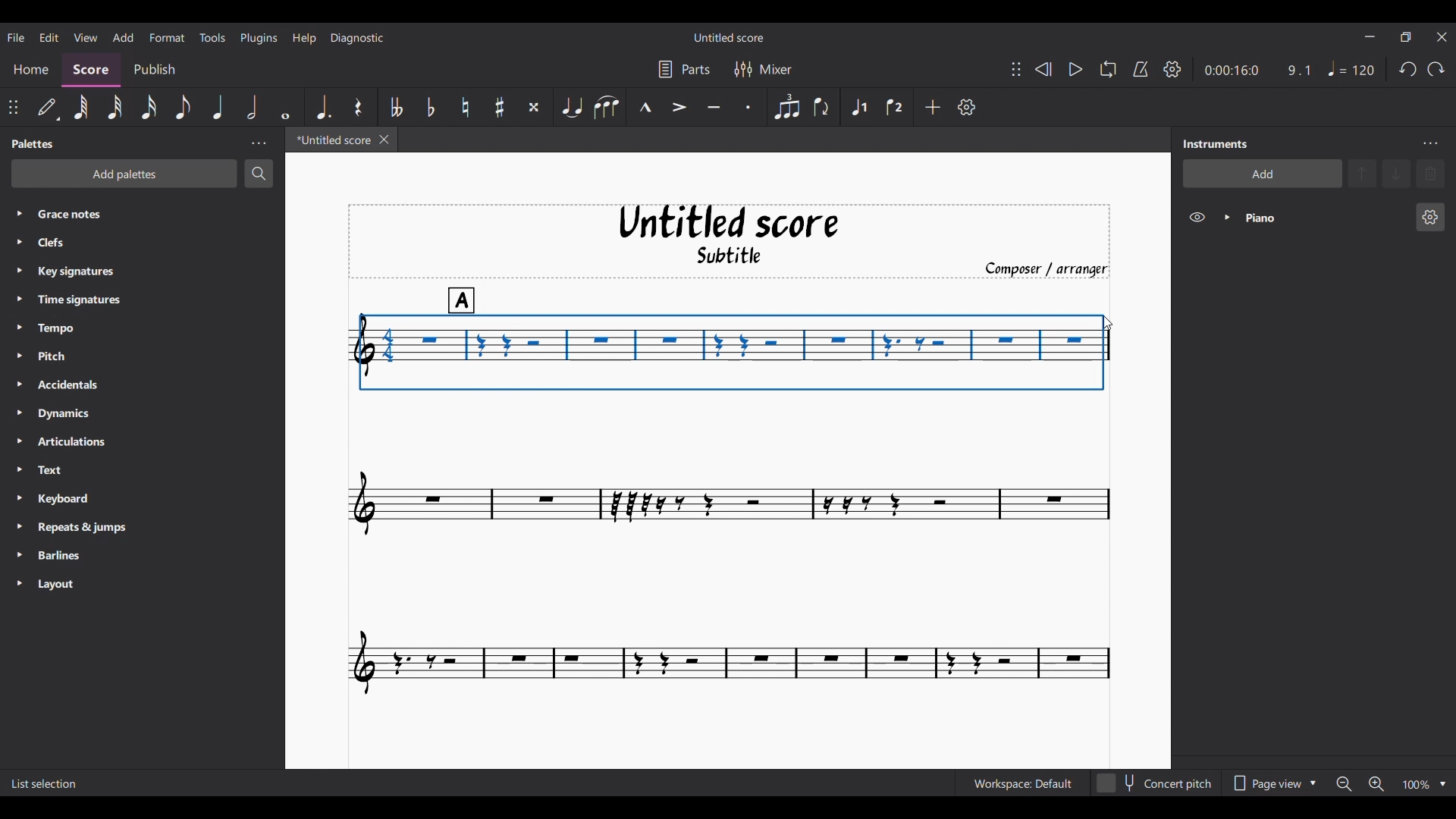 Image resolution: width=1456 pixels, height=819 pixels. I want to click on Grace notes, so click(153, 212).